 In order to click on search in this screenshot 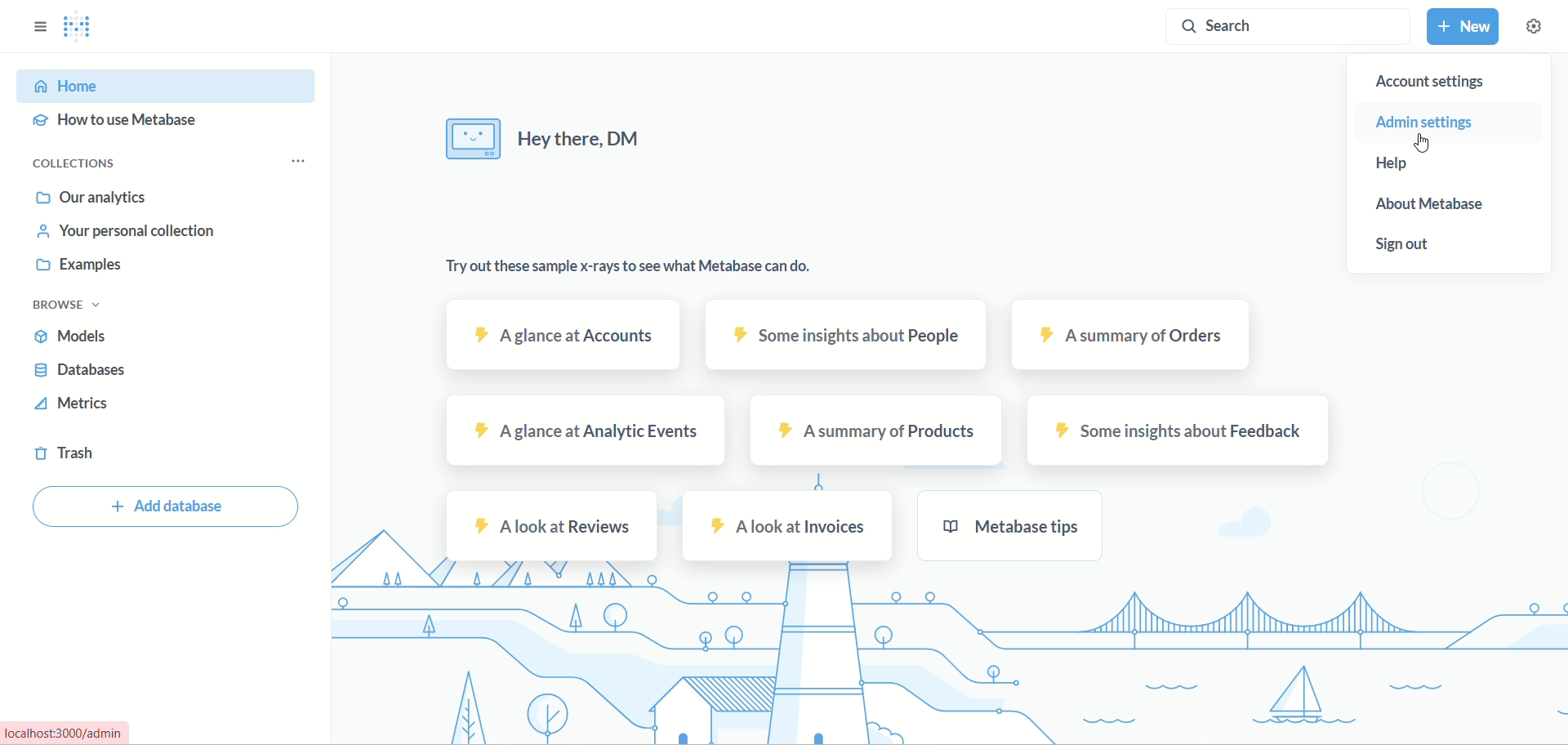, I will do `click(1286, 27)`.